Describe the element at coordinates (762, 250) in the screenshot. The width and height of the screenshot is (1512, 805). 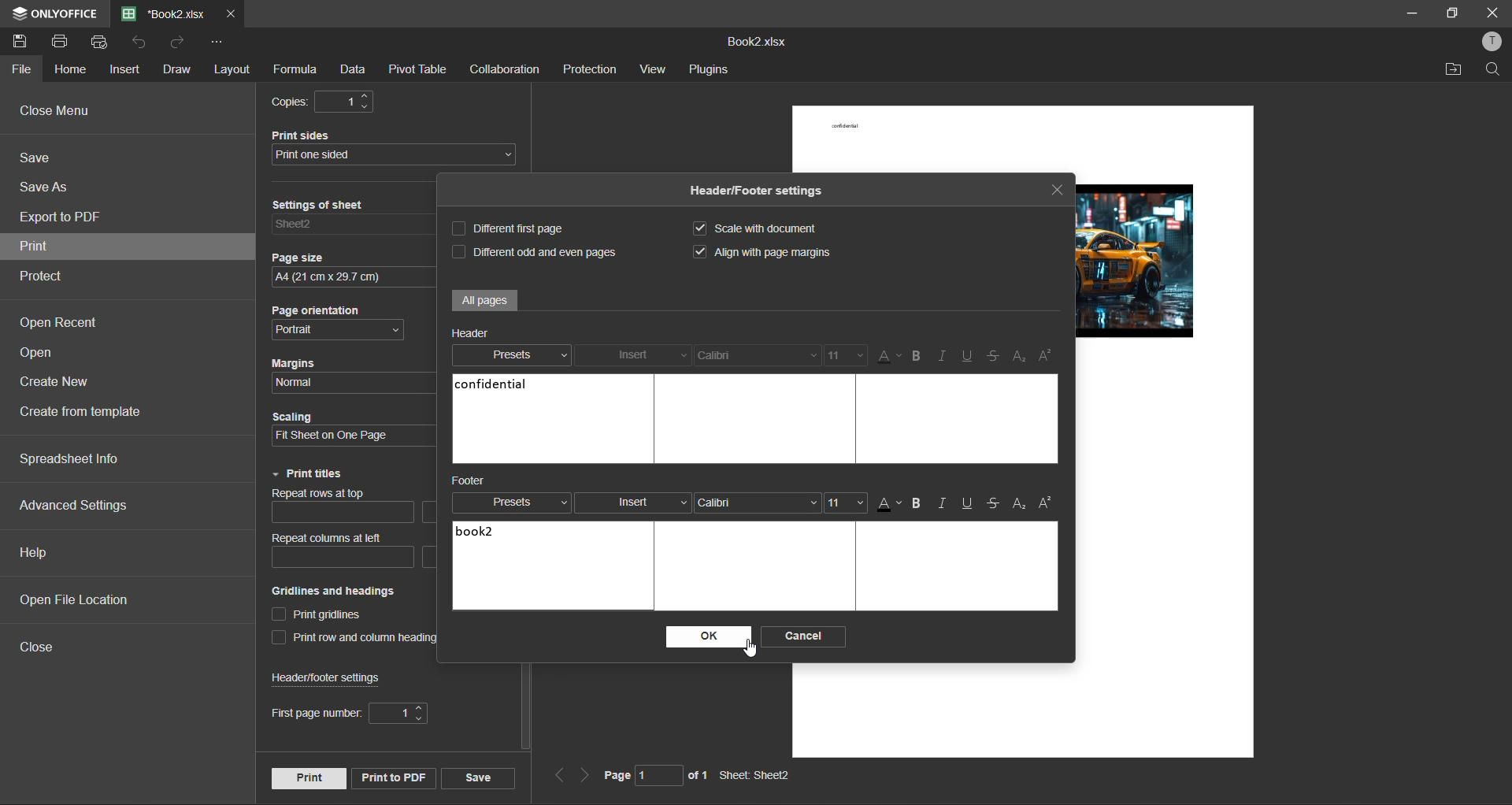
I see `align with page margins` at that location.